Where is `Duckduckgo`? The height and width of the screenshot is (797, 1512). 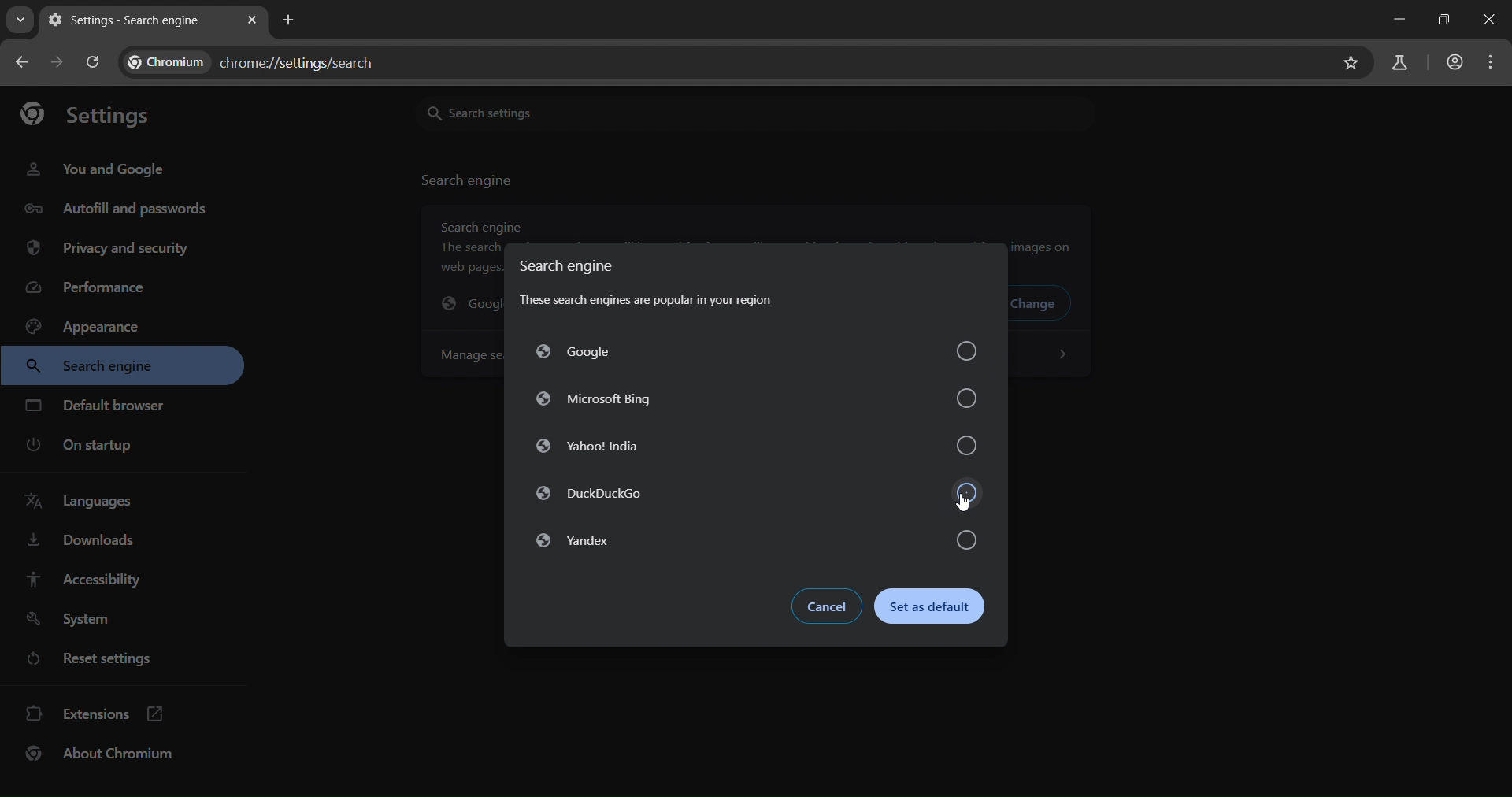 Duckduckgo is located at coordinates (751, 495).